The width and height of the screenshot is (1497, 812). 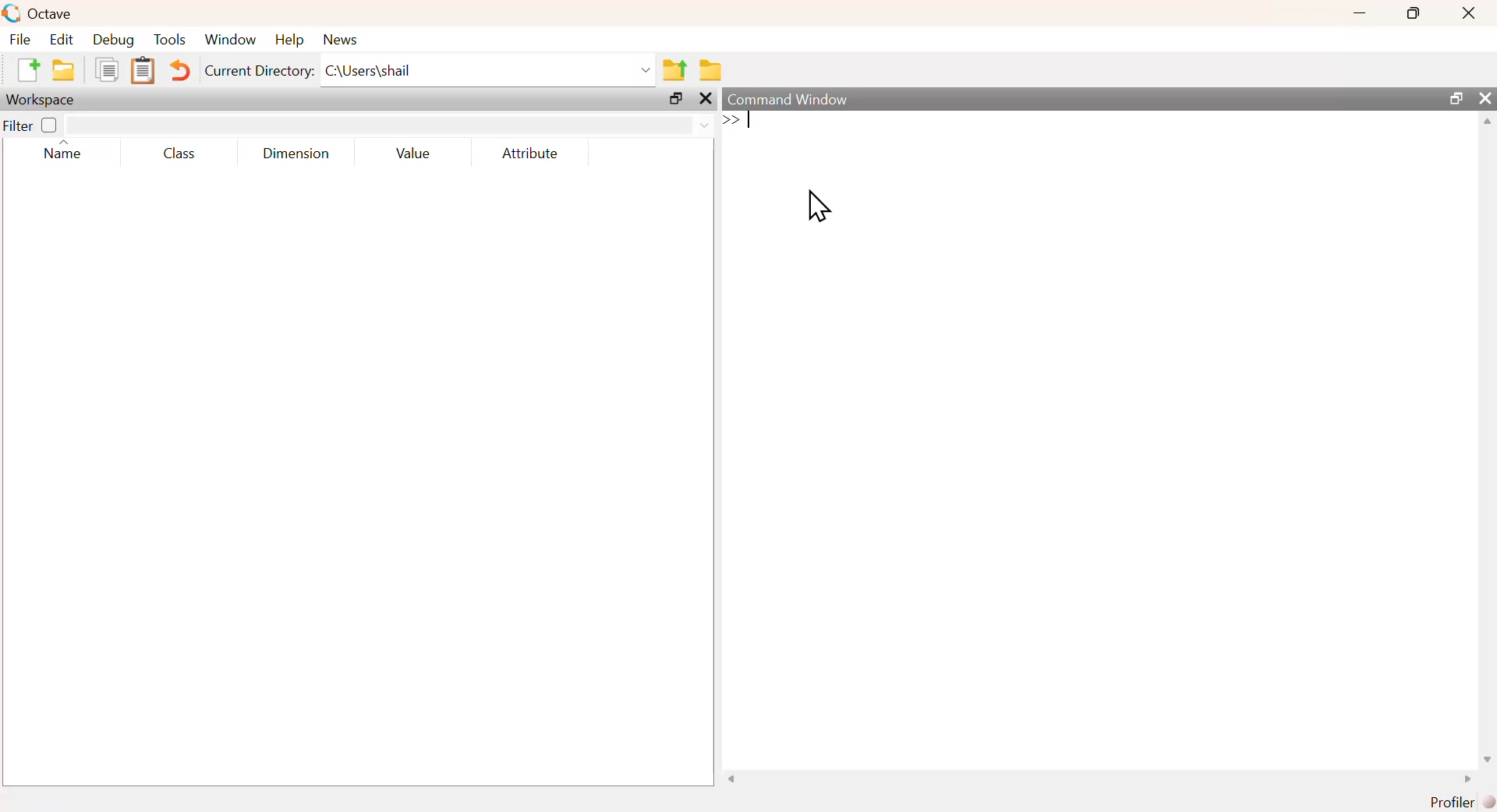 What do you see at coordinates (105, 69) in the screenshot?
I see `Duplicate` at bounding box center [105, 69].